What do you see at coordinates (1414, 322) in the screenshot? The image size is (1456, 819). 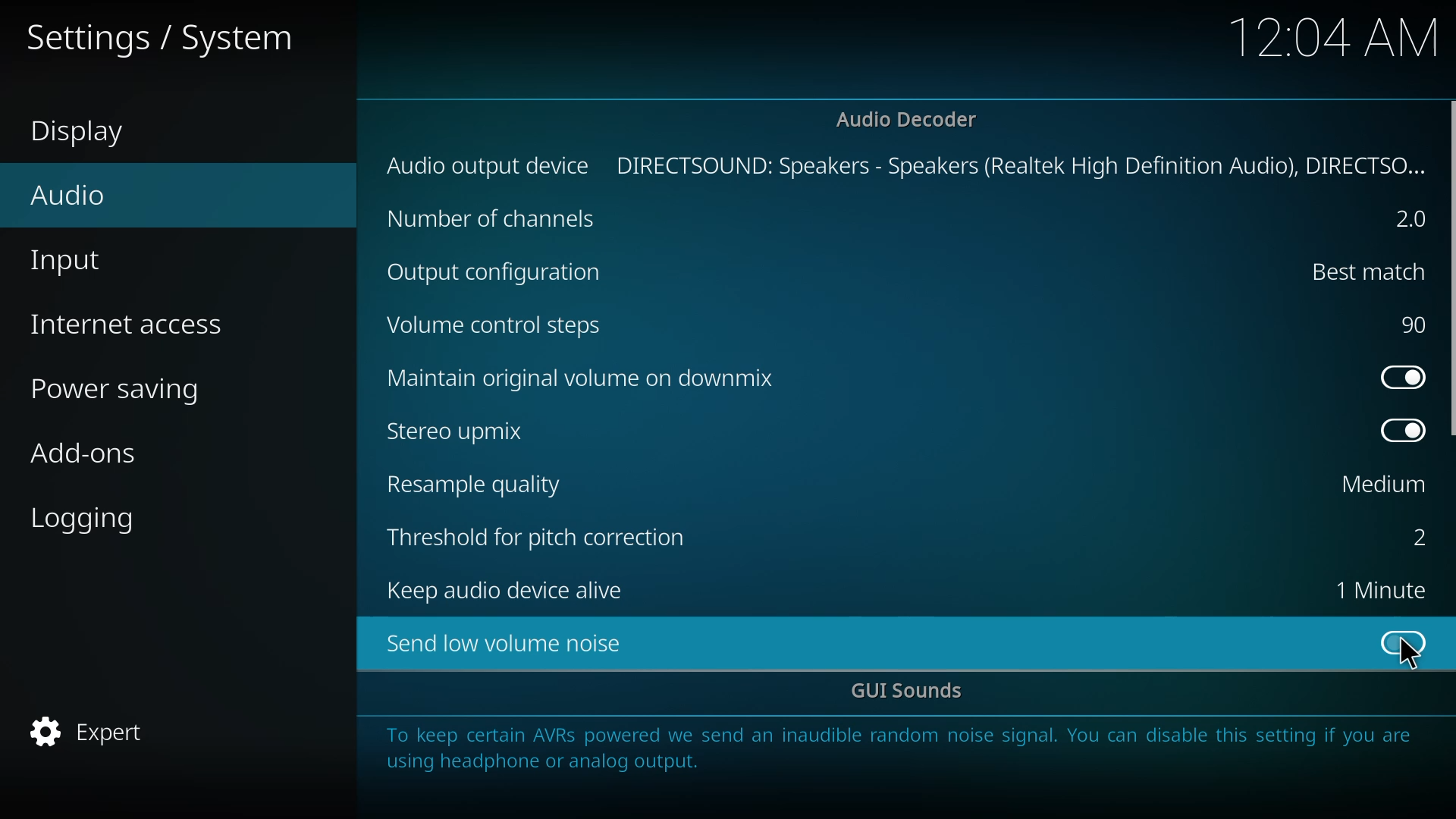 I see `90` at bounding box center [1414, 322].